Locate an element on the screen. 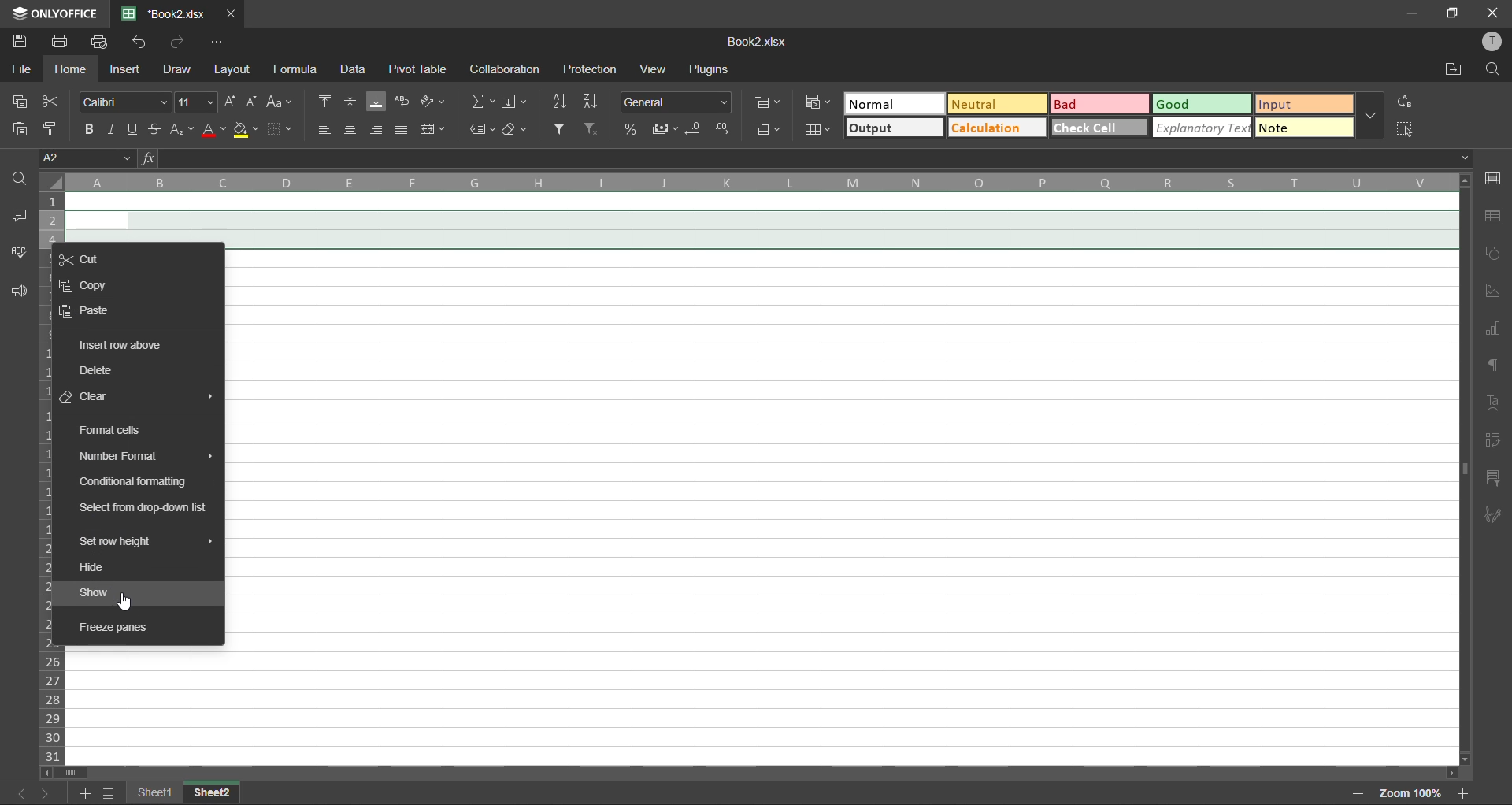 The image size is (1512, 805). good is located at coordinates (1204, 103).